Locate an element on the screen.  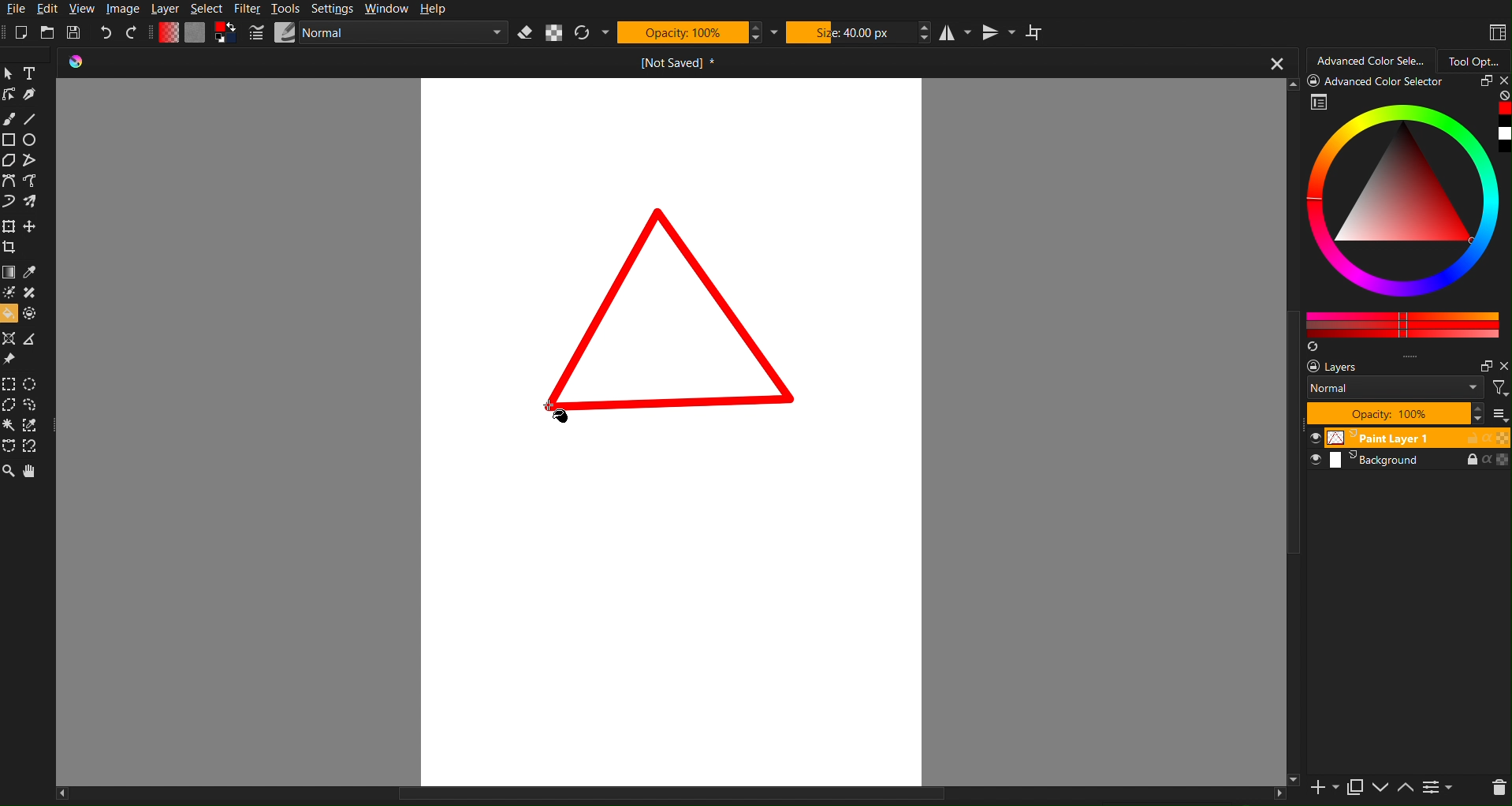
smart patch tool is located at coordinates (32, 293).